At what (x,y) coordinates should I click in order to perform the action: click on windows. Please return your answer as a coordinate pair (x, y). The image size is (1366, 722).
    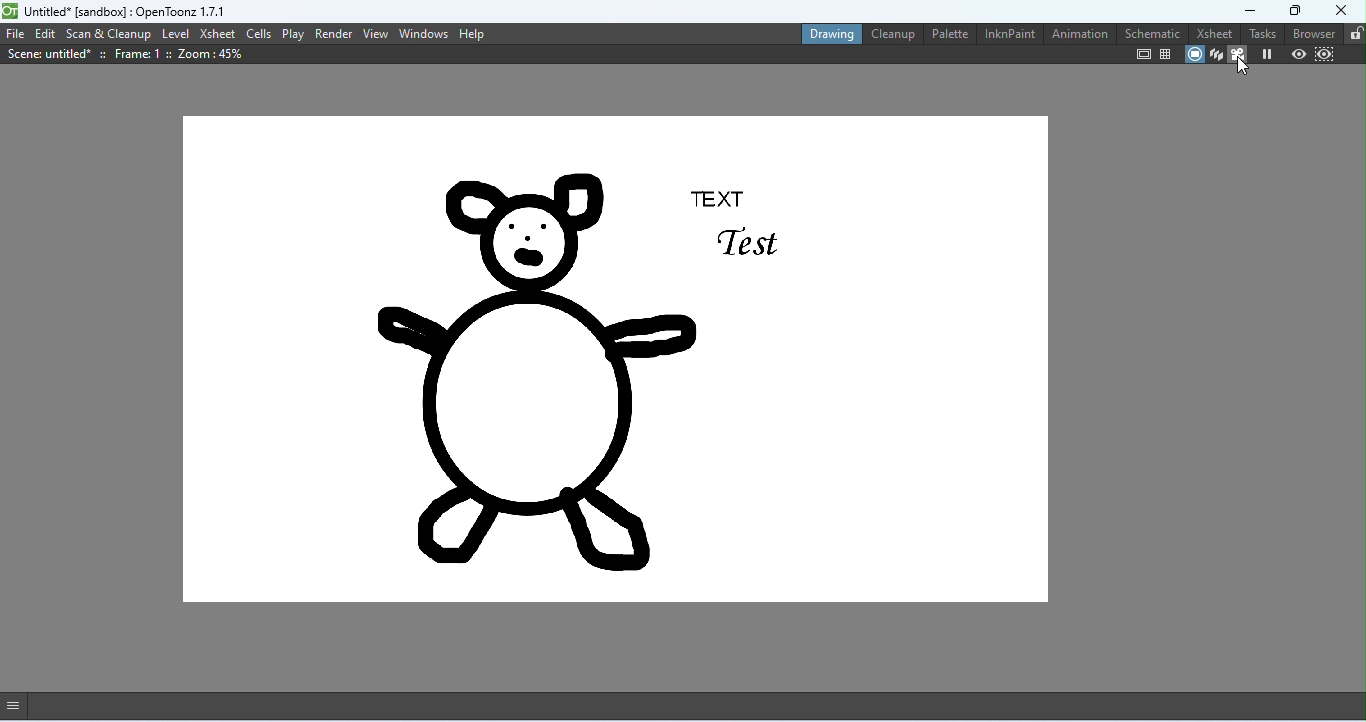
    Looking at the image, I should click on (424, 33).